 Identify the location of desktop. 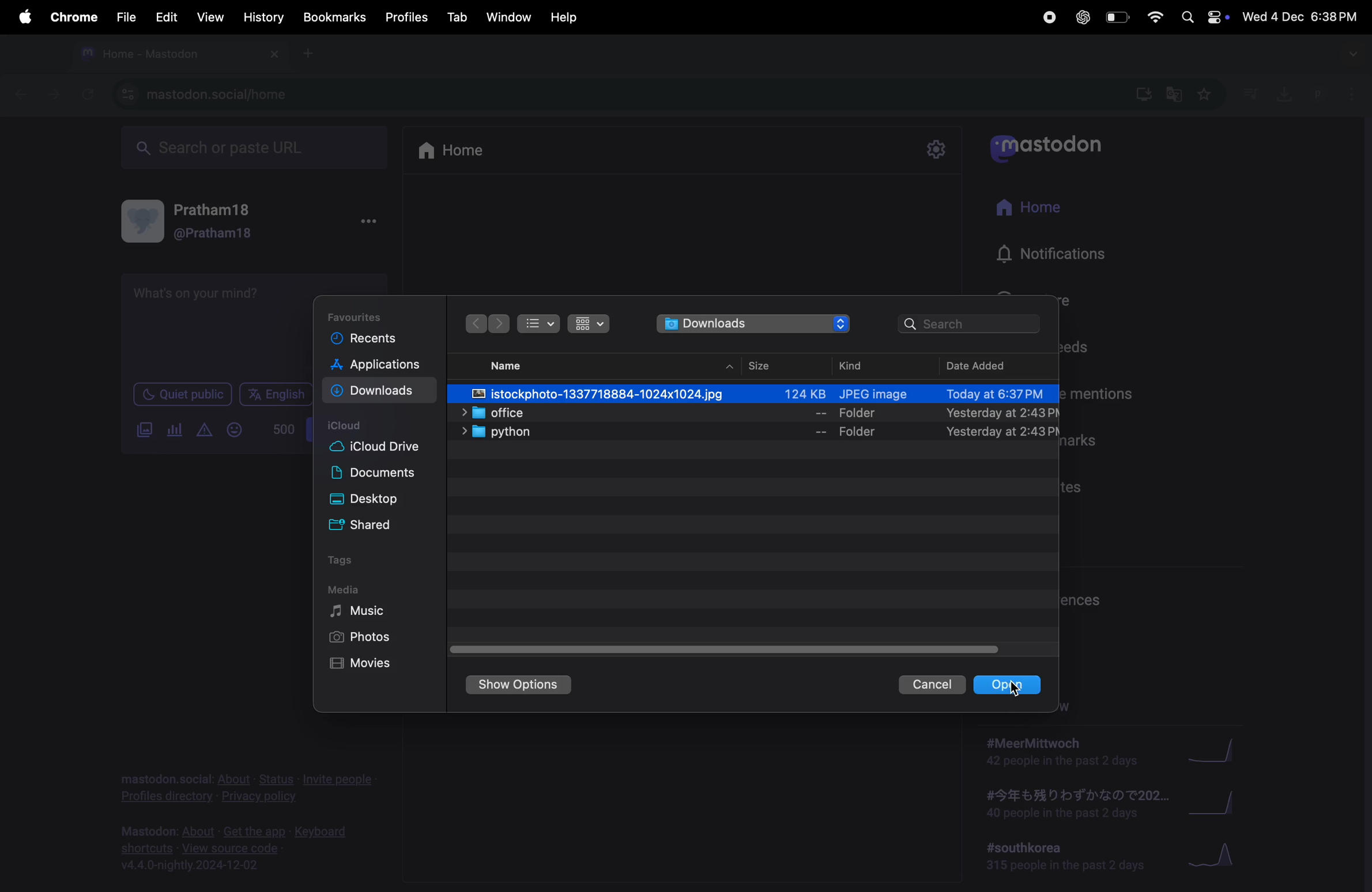
(381, 500).